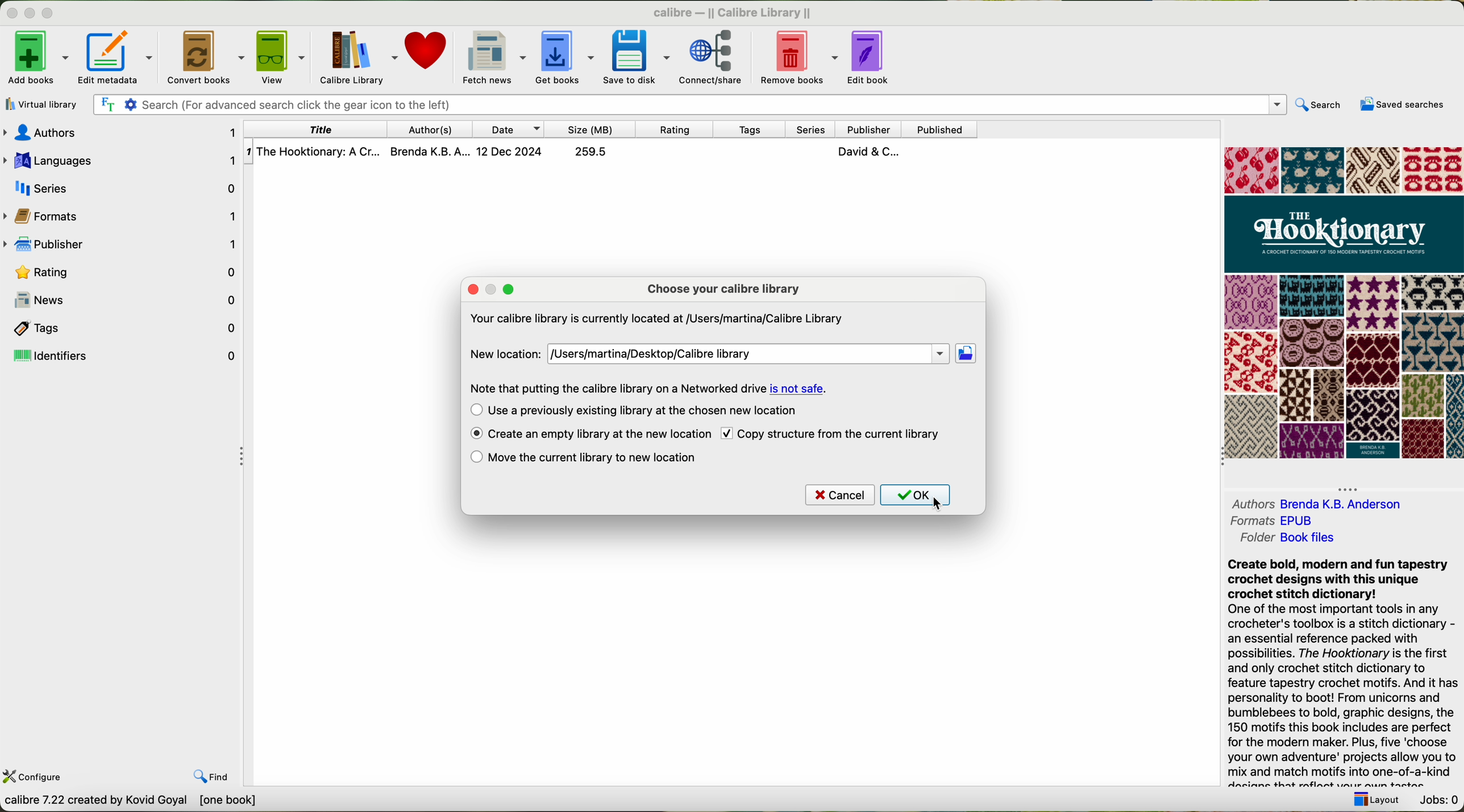  What do you see at coordinates (1337, 673) in the screenshot?
I see `Create bold, modern and fun tapestry
crochet designs with this unique
crochet stitch dictionary!

One of the most important tools in any
crocheter's toolbox is a stitch dictionary -
an essential reference packed with
possibilities. The Hooktionary is the first
and only crochet stitch dictionary to
feature tapestry crochet motifs. And it has
personality to boot! From unicorns and
bumblebees to bold, graphic designs, the
150 motifs this book includes are perfect
for the modern maker. Plus, five ‘choose
your own adventure' projects allow you to
mix and match motifs into one-of-a-kind` at bounding box center [1337, 673].